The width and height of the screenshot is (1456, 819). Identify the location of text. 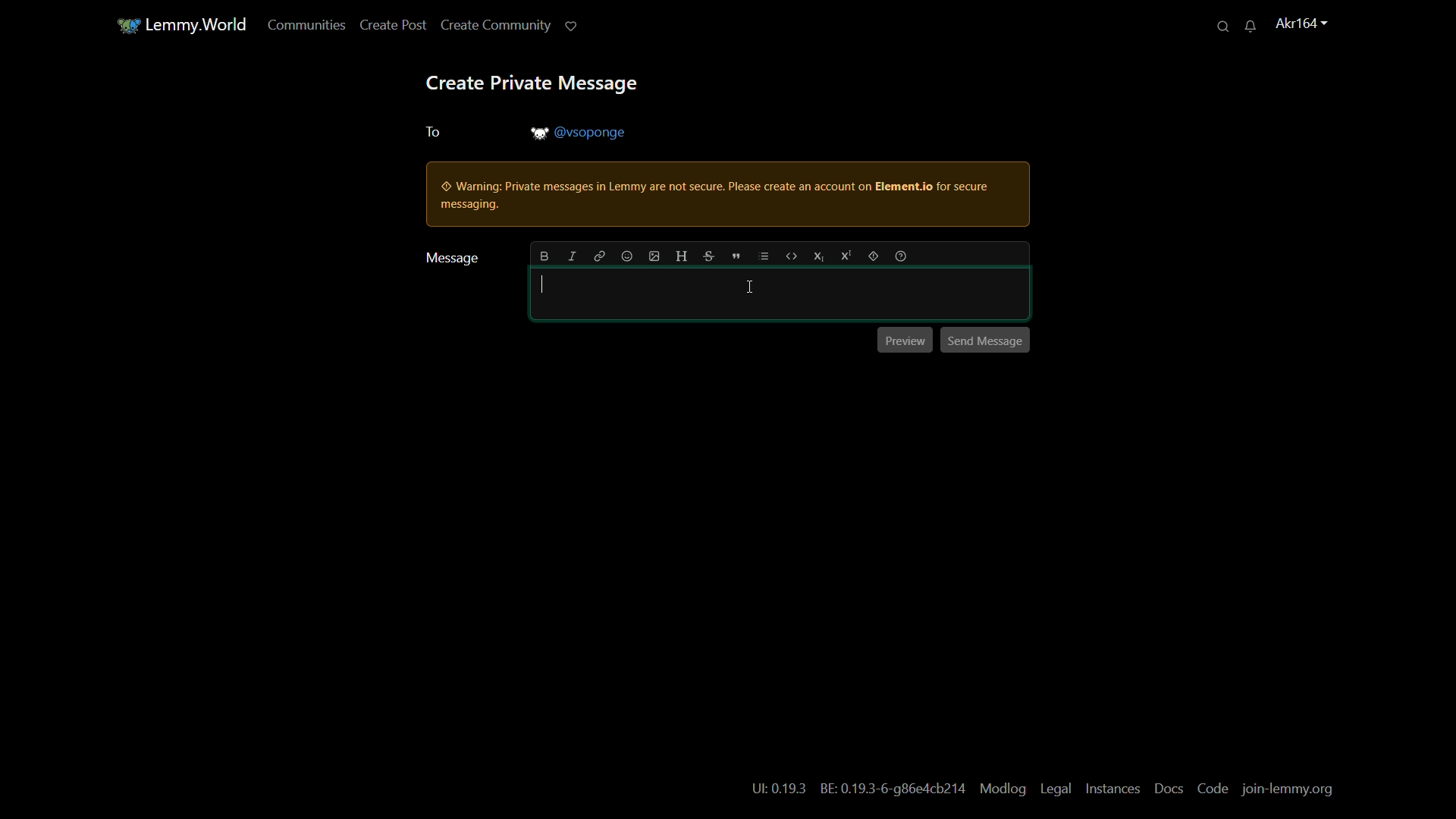
(858, 789).